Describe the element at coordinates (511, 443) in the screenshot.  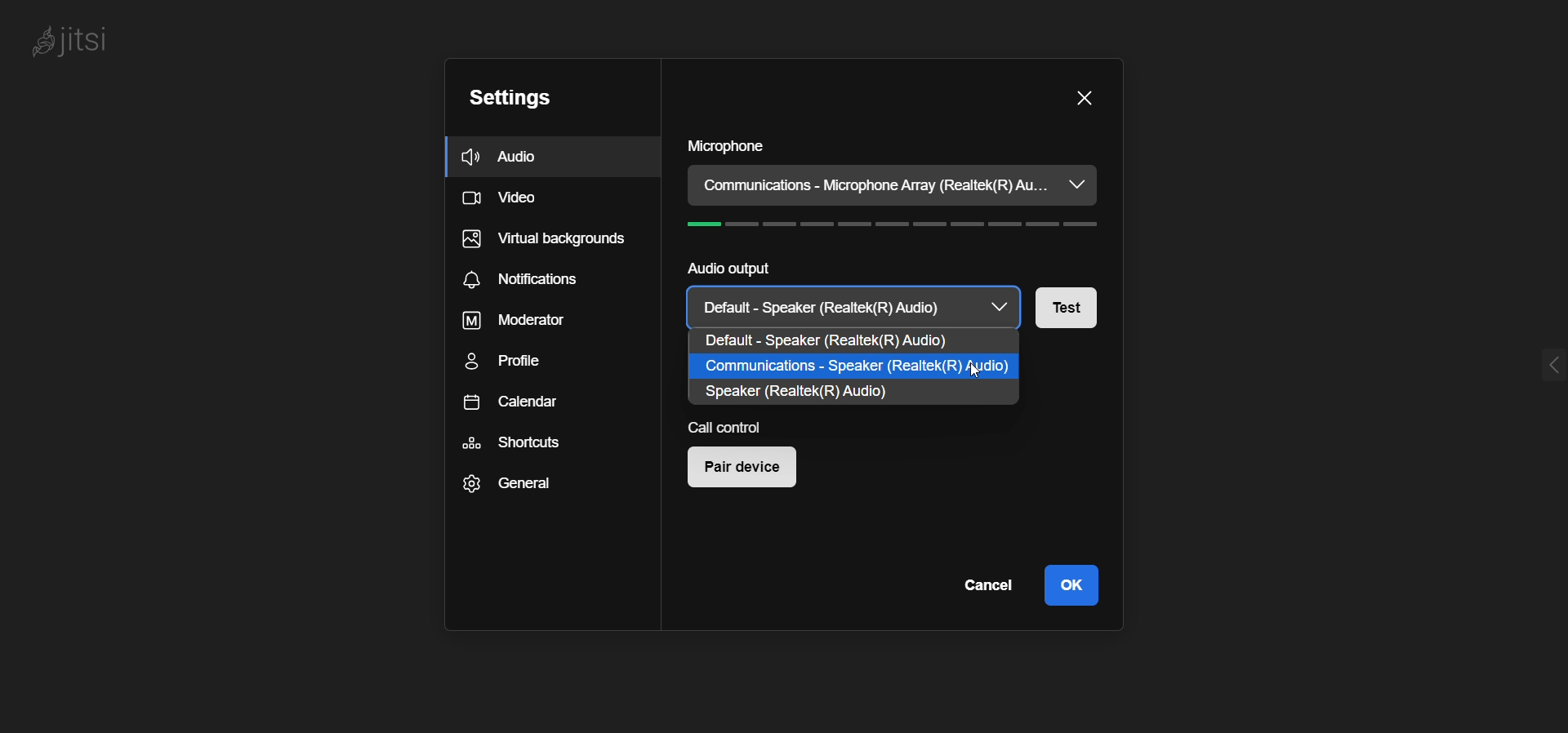
I see `shortcuts` at that location.